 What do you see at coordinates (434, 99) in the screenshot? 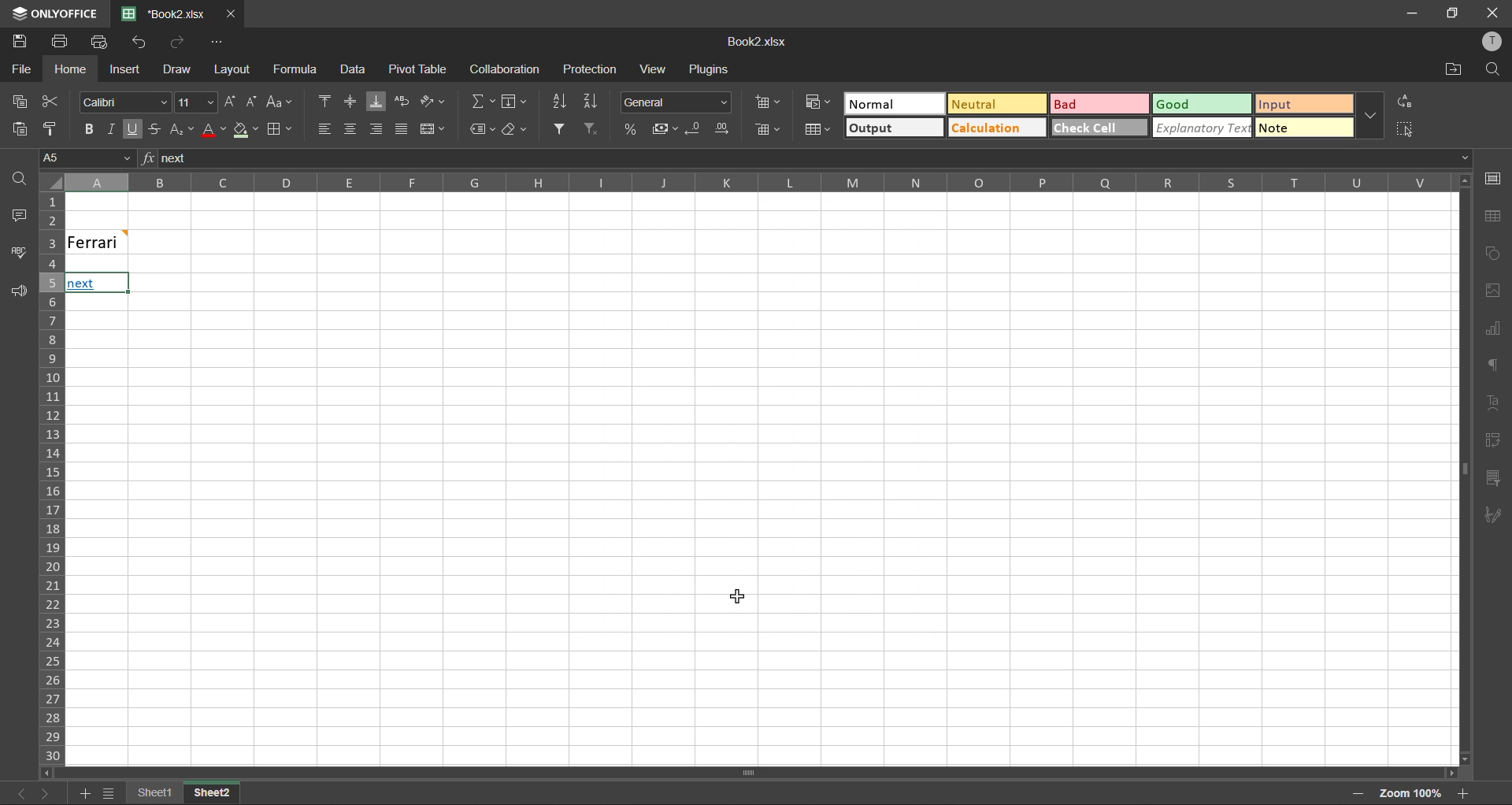
I see `orientation` at bounding box center [434, 99].